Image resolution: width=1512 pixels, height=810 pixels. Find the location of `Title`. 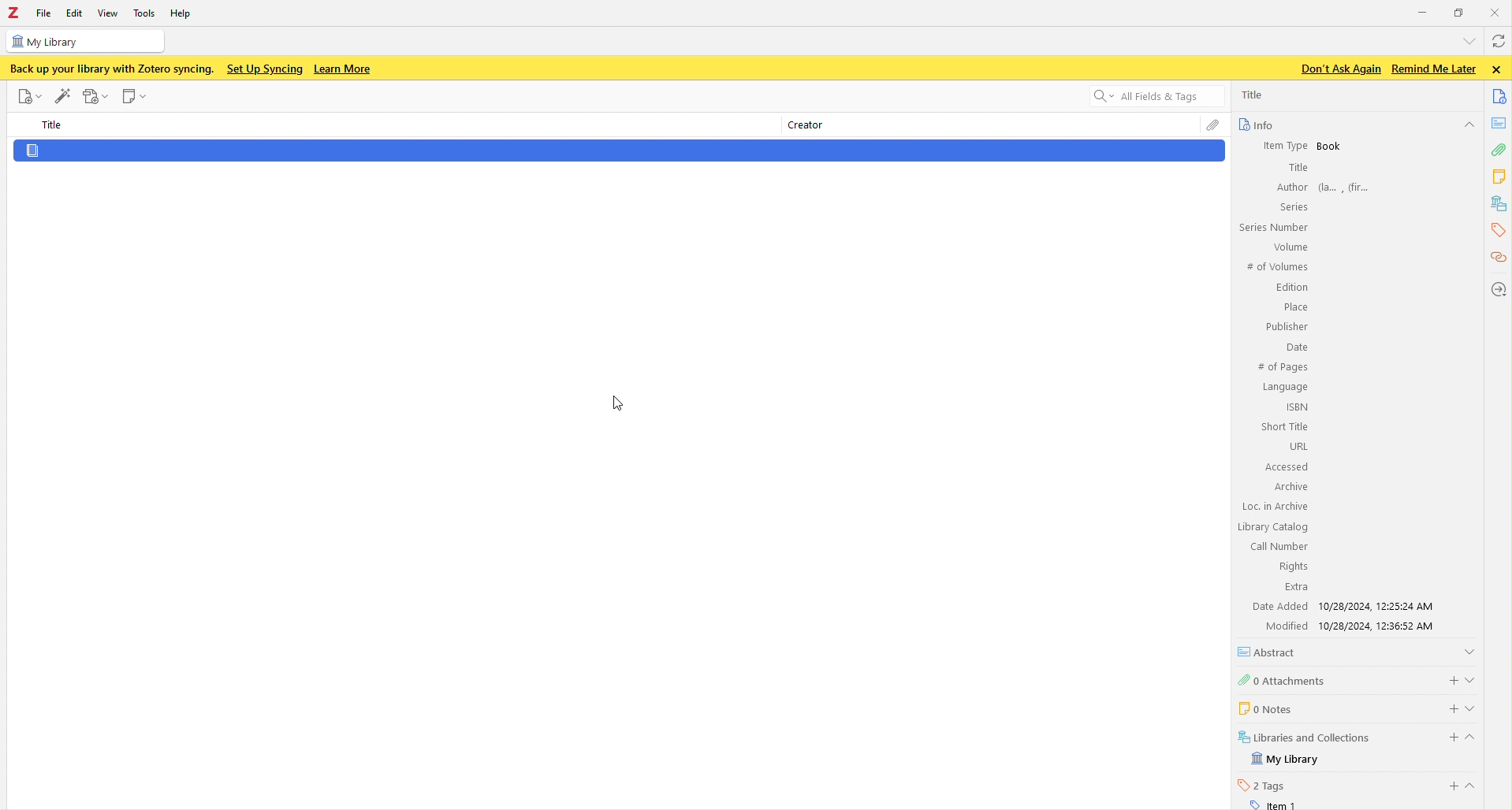

Title is located at coordinates (1254, 95).